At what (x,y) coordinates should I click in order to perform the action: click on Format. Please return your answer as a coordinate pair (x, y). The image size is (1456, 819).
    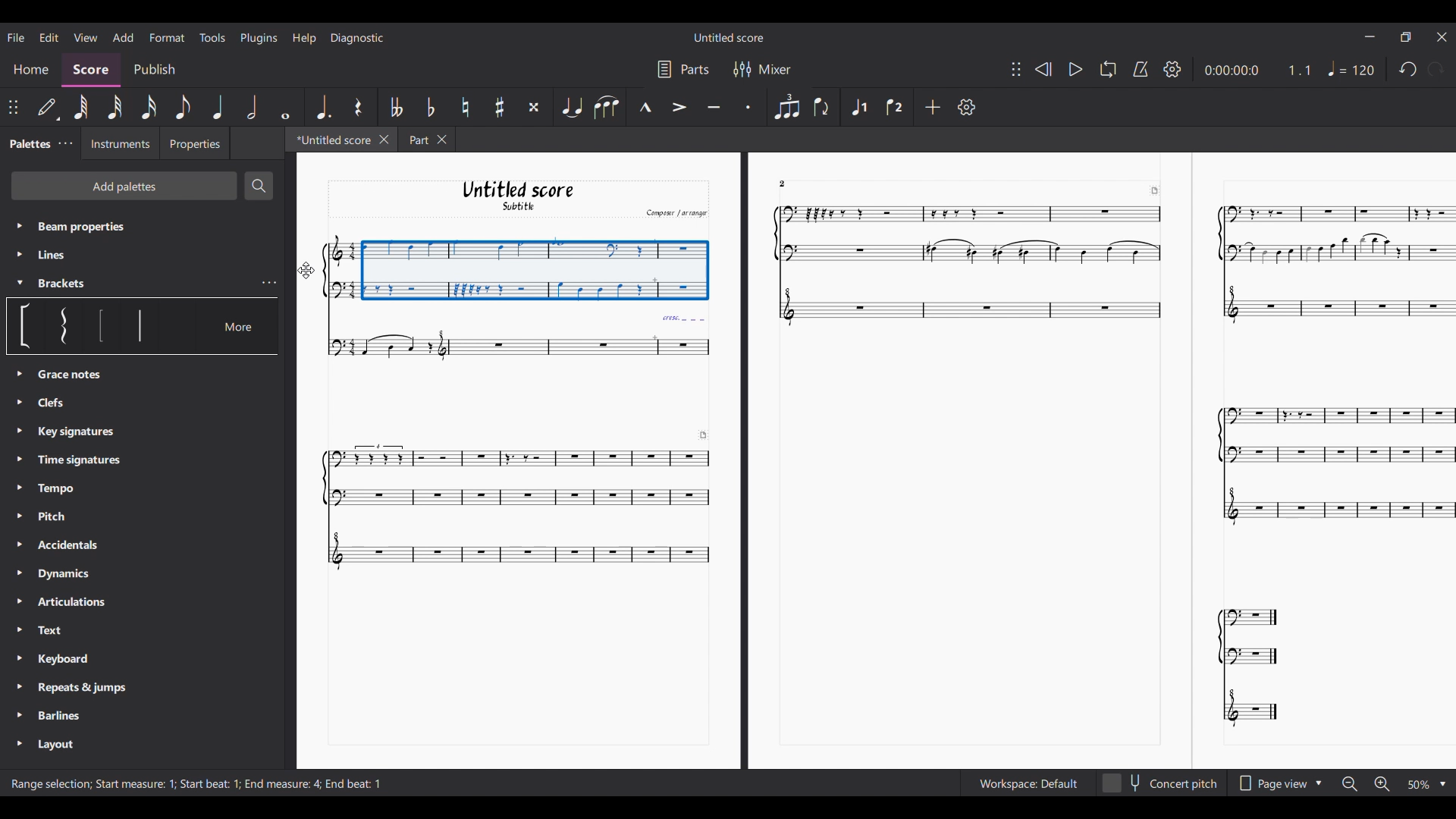
    Looking at the image, I should click on (168, 37).